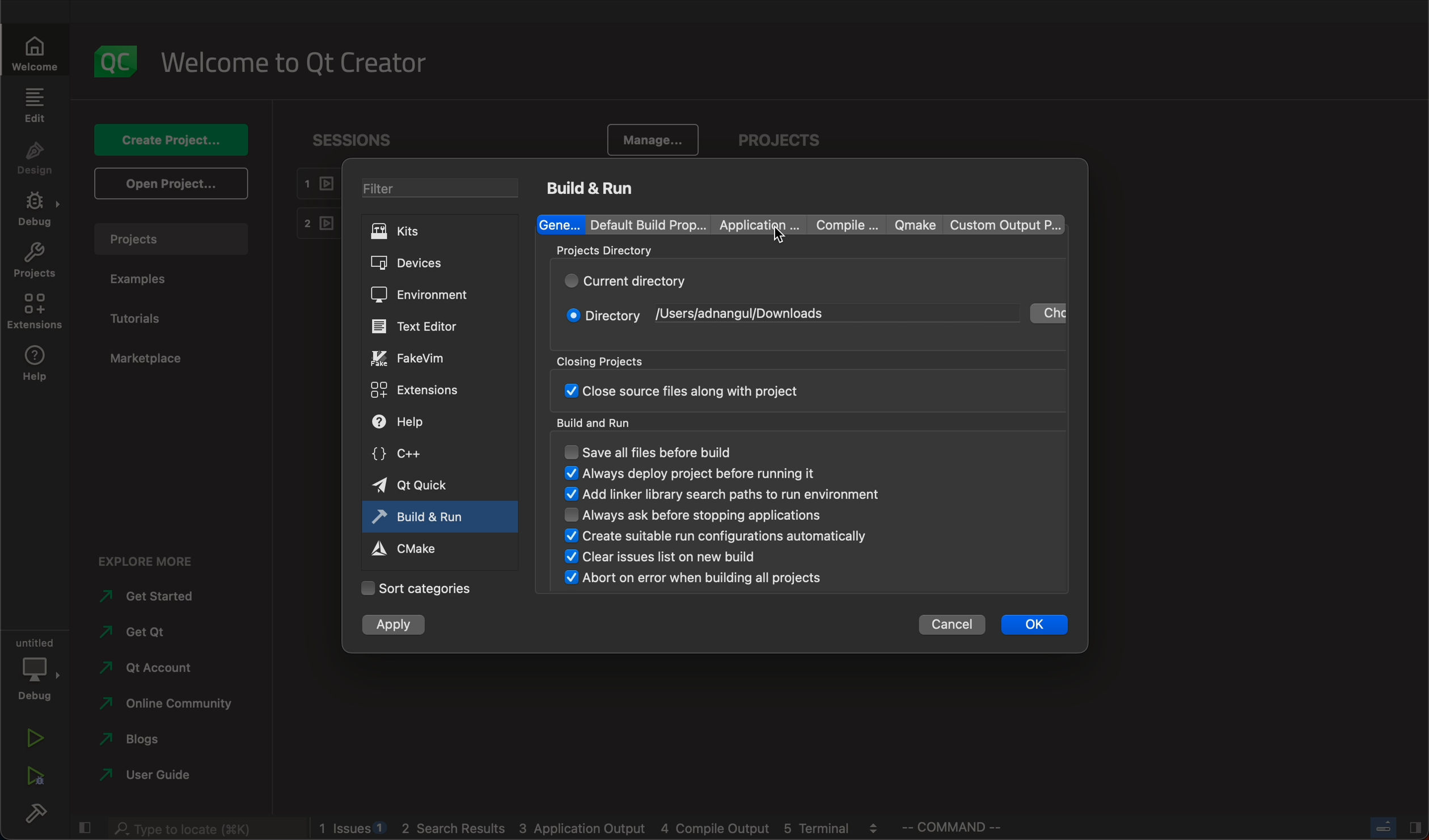  What do you see at coordinates (162, 706) in the screenshot?
I see `community` at bounding box center [162, 706].